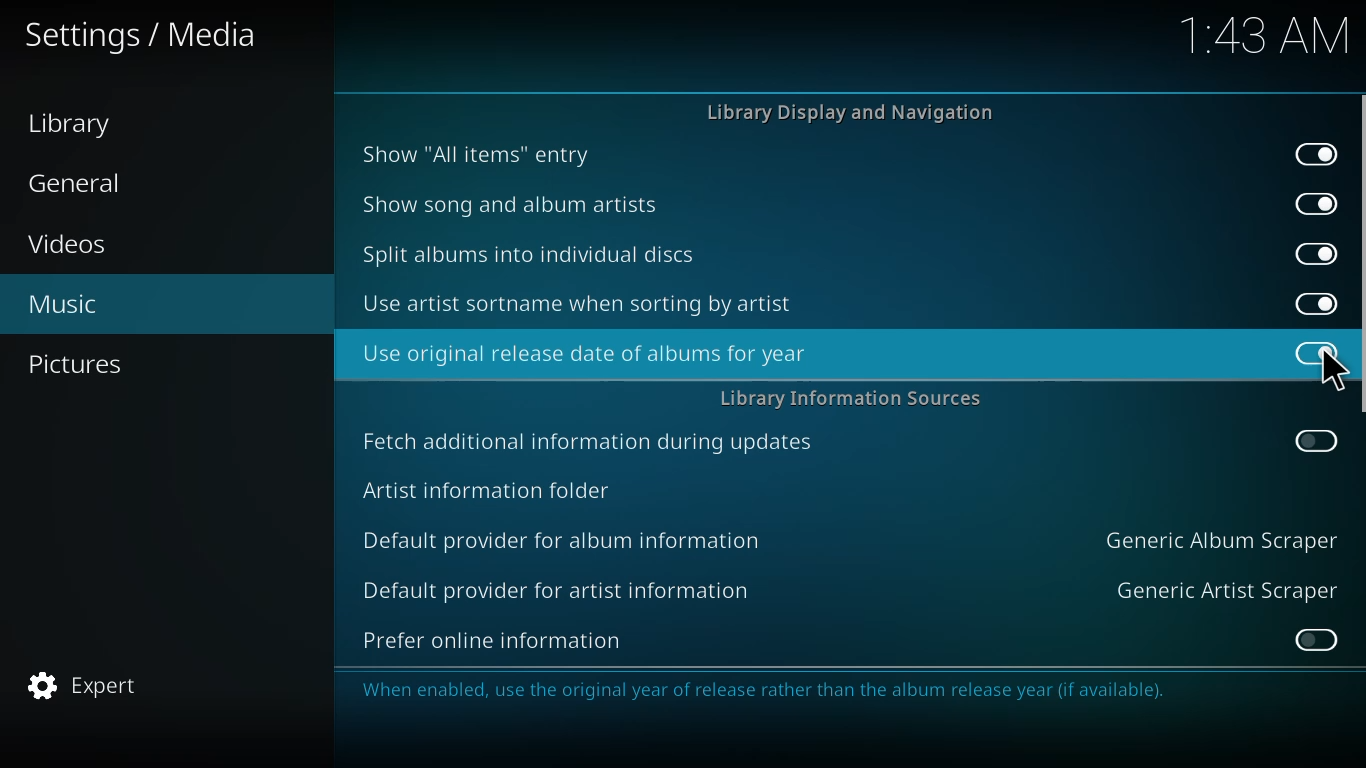 The height and width of the screenshot is (768, 1366). What do you see at coordinates (1258, 36) in the screenshot?
I see `time` at bounding box center [1258, 36].